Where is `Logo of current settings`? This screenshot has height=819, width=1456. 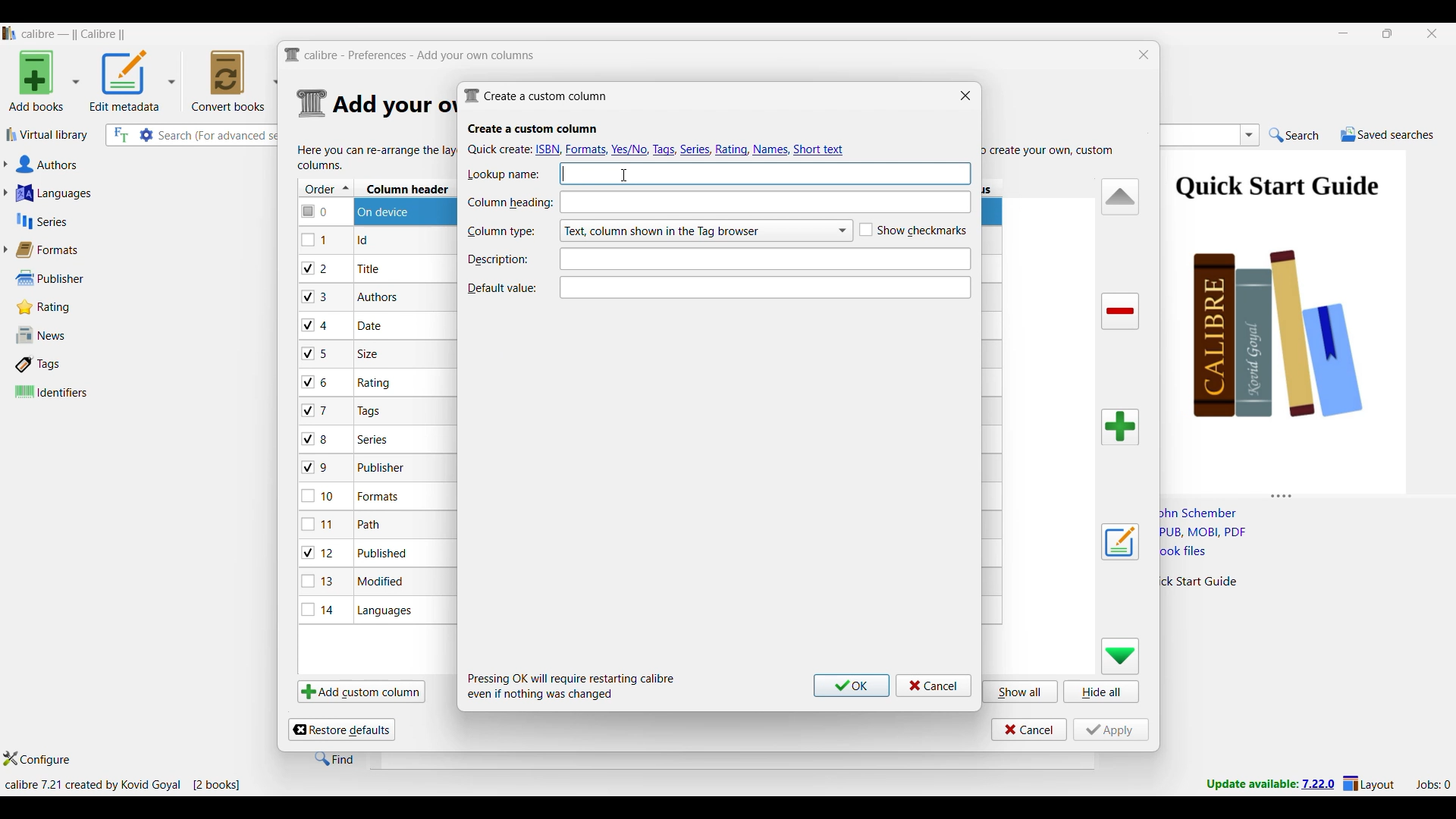
Logo of current settings is located at coordinates (312, 104).